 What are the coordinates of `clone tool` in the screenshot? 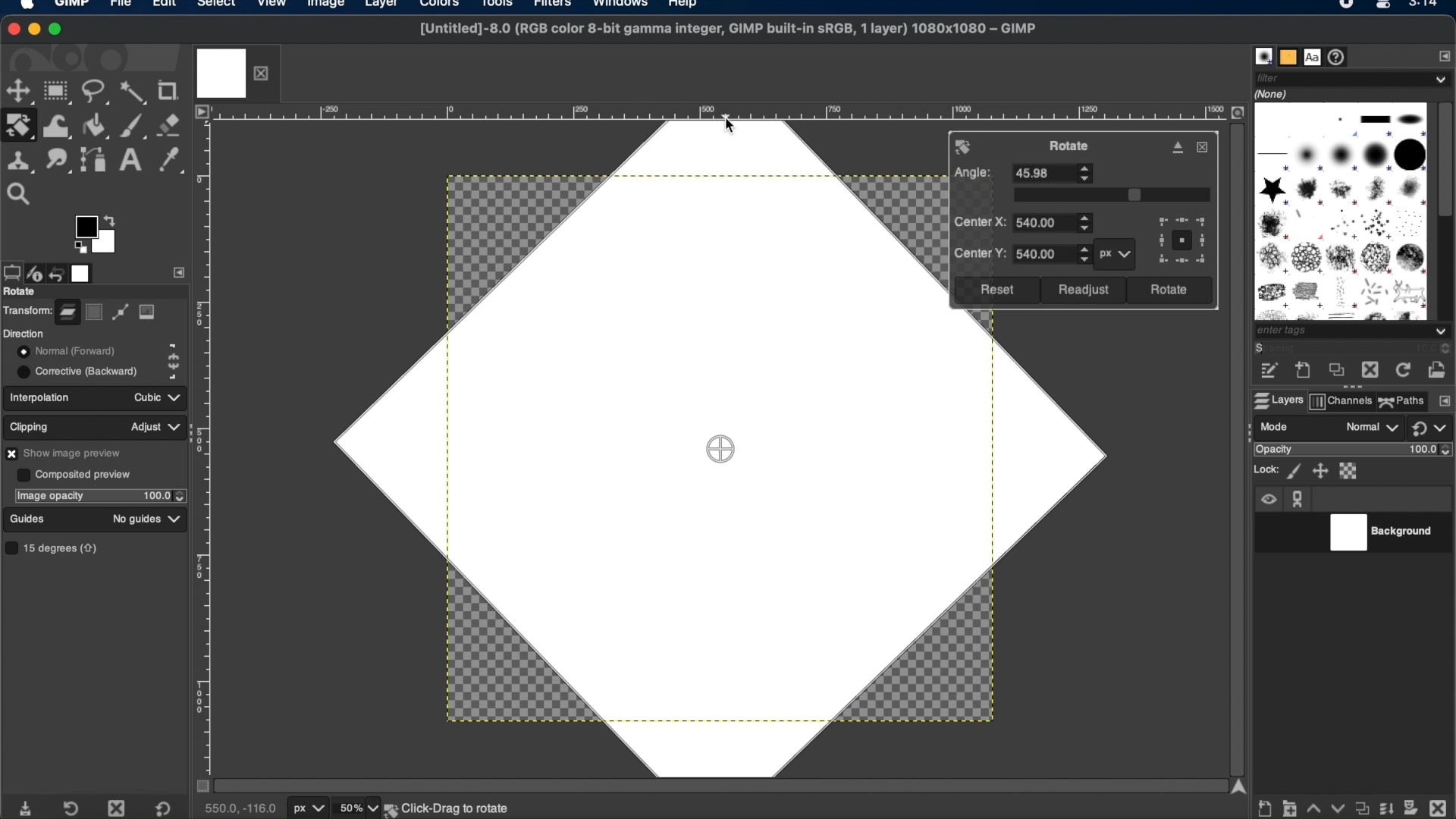 It's located at (20, 159).